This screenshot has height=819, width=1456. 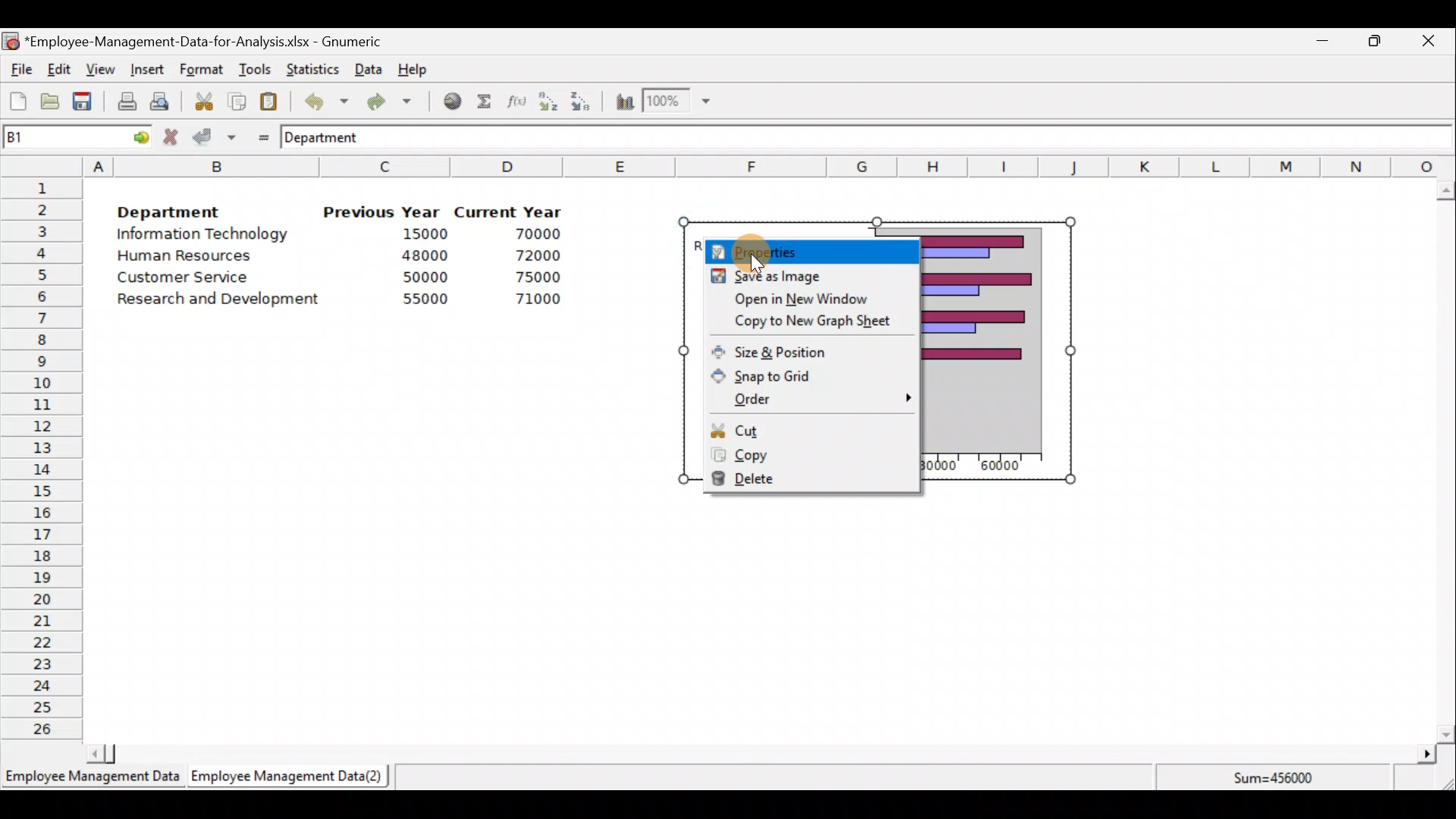 I want to click on Help, so click(x=422, y=68).